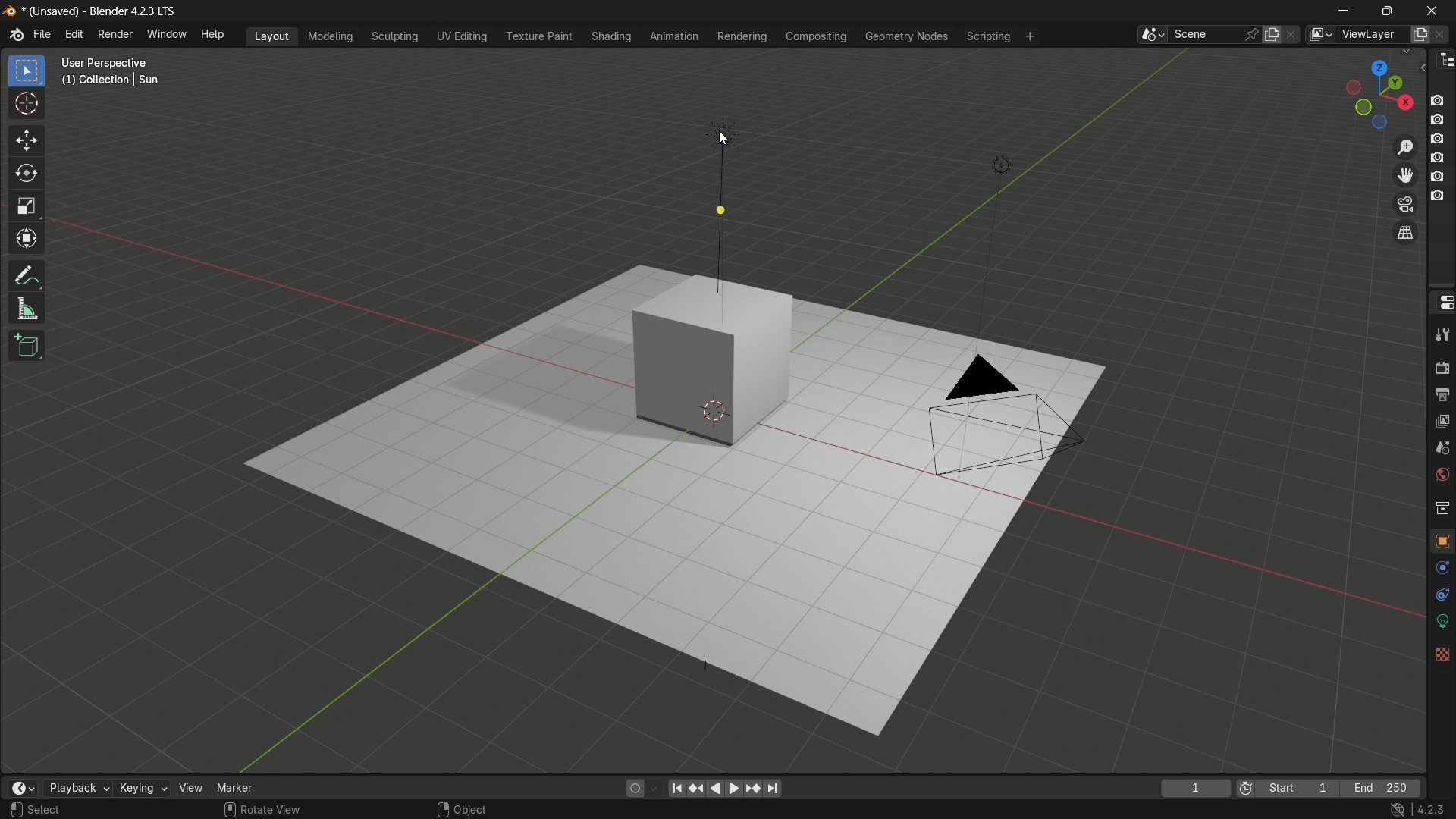  Describe the element at coordinates (711, 366) in the screenshot. I see `cube` at that location.